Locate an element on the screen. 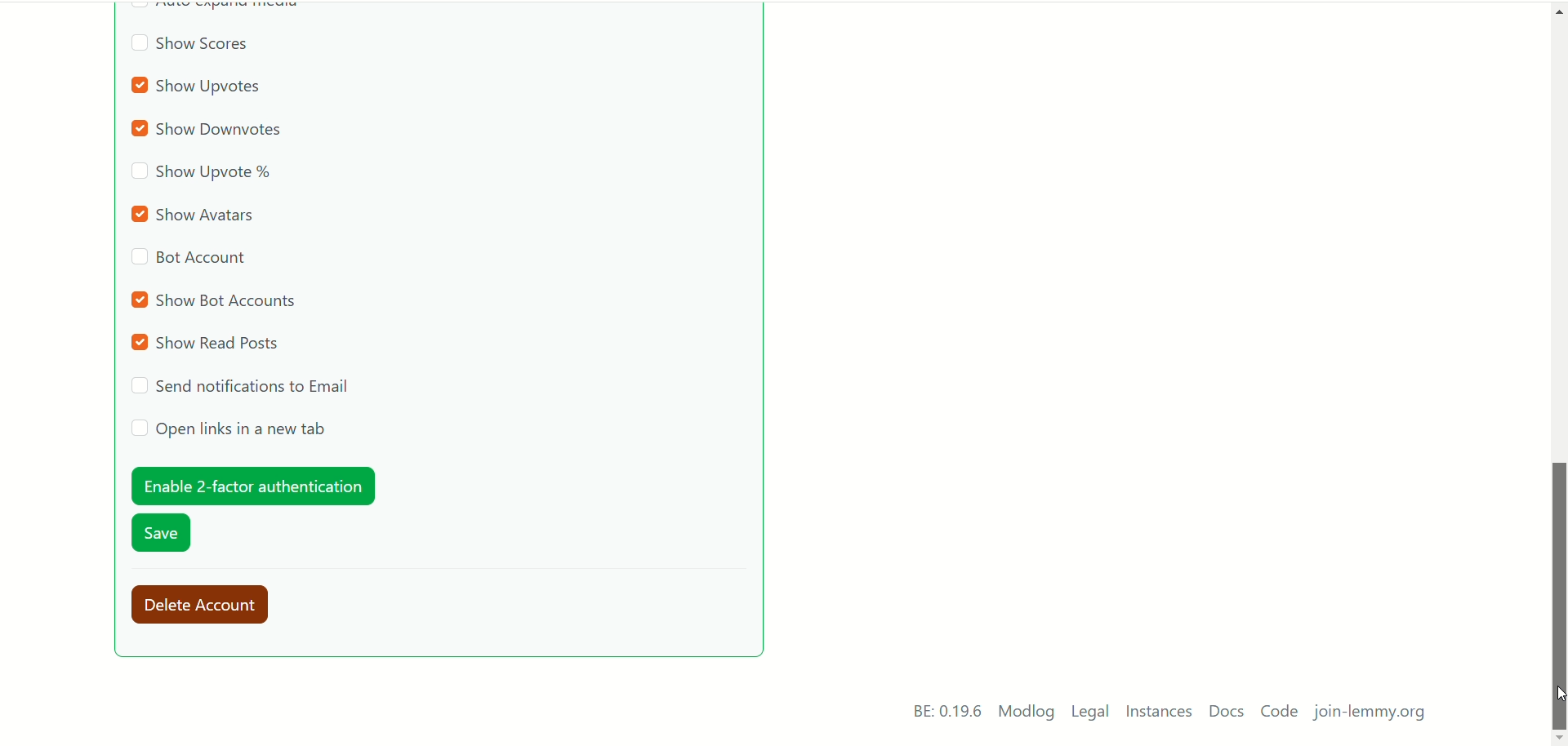 Image resolution: width=1568 pixels, height=746 pixels. bot account is located at coordinates (189, 260).